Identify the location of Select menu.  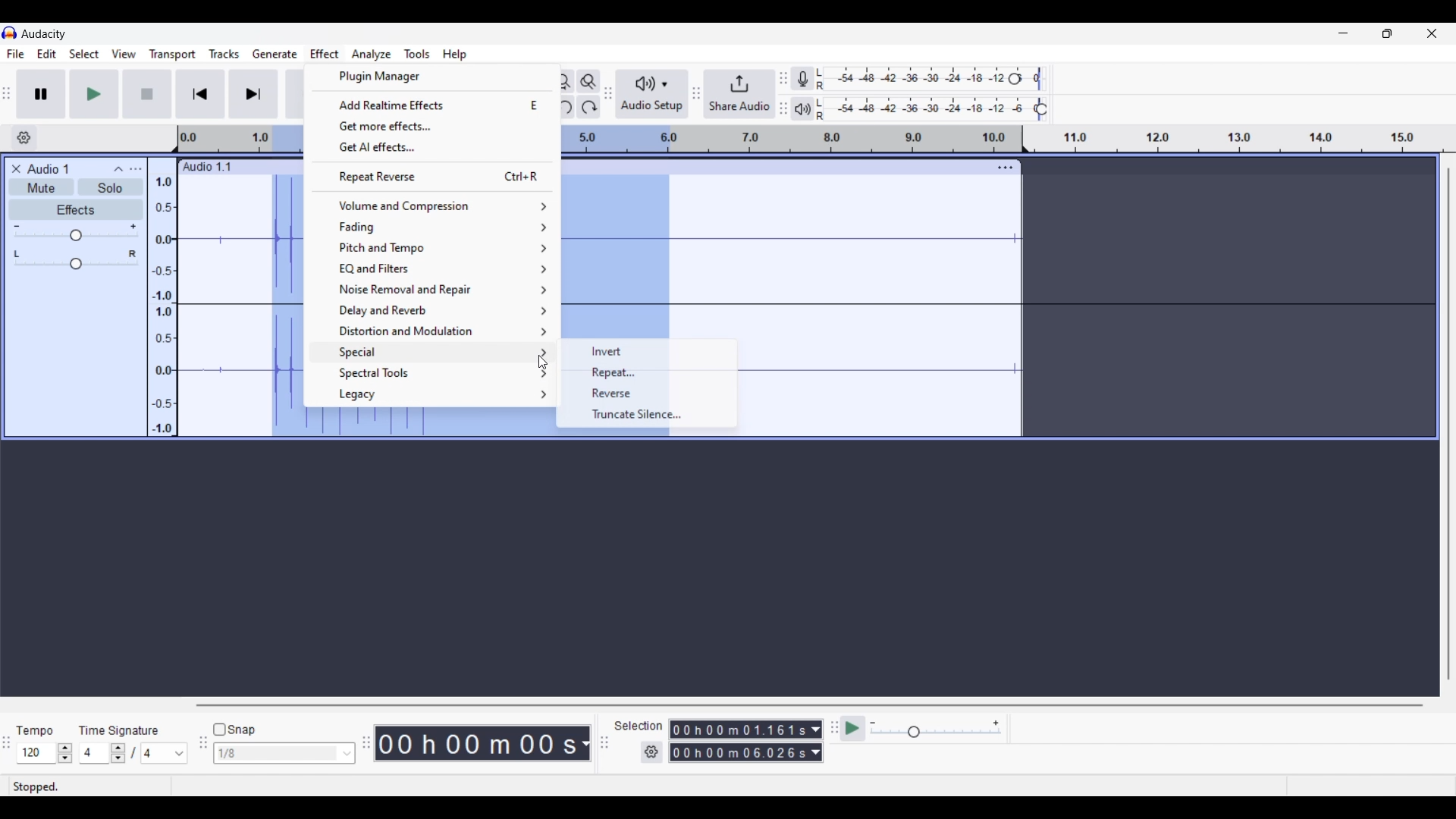
(84, 54).